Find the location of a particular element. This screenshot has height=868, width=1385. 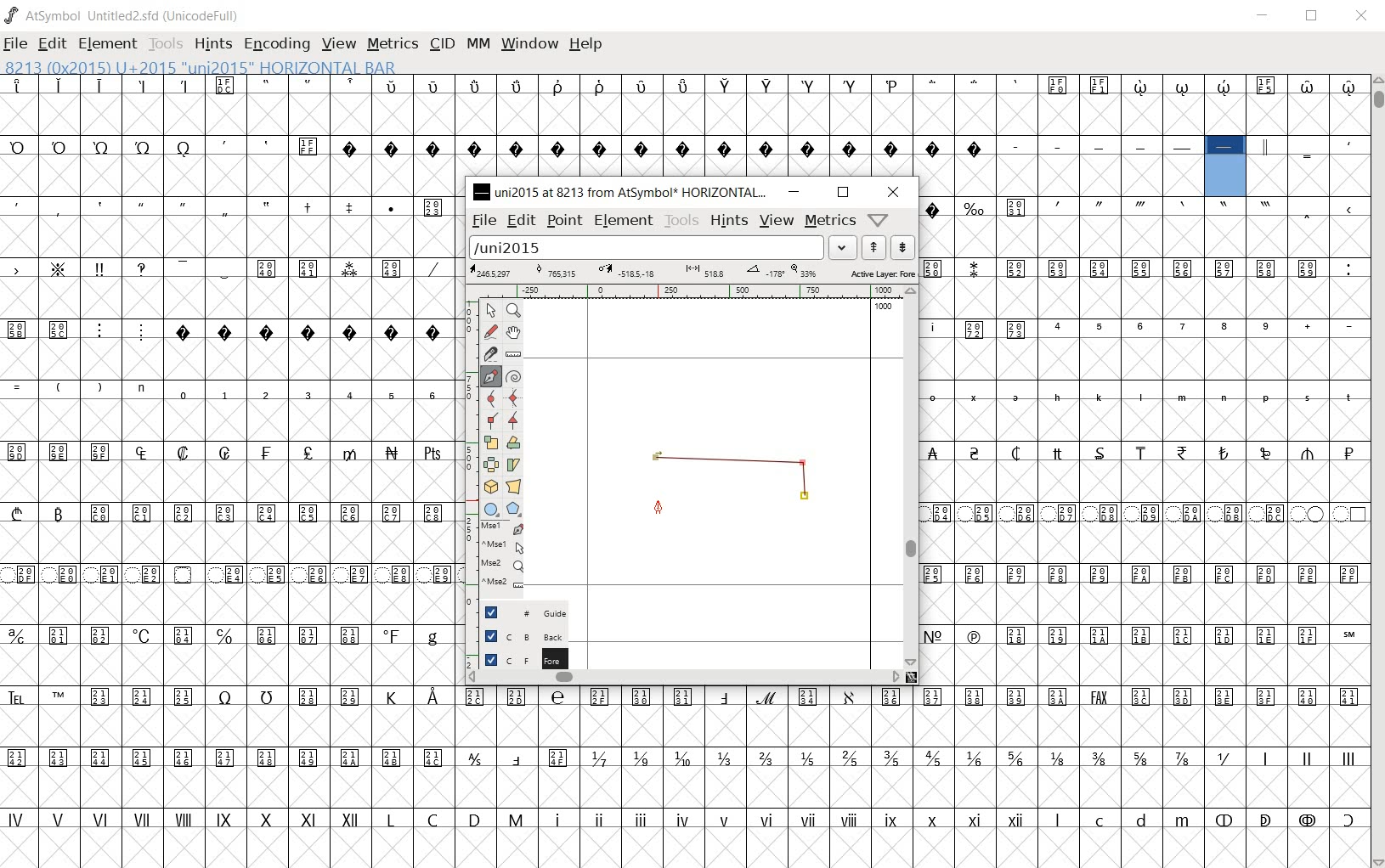

Background is located at coordinates (518, 636).